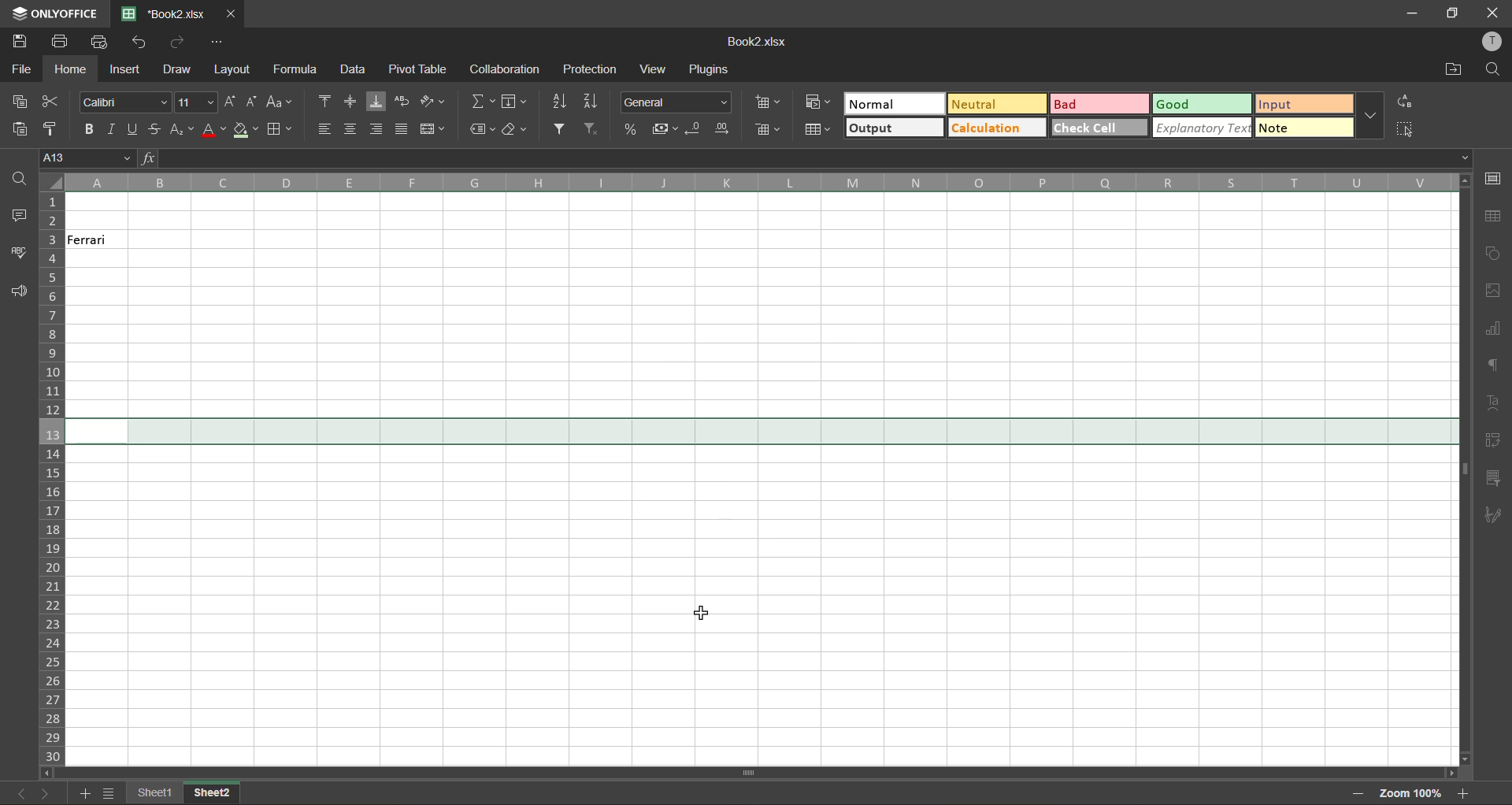  Describe the element at coordinates (484, 128) in the screenshot. I see `named ranges` at that location.